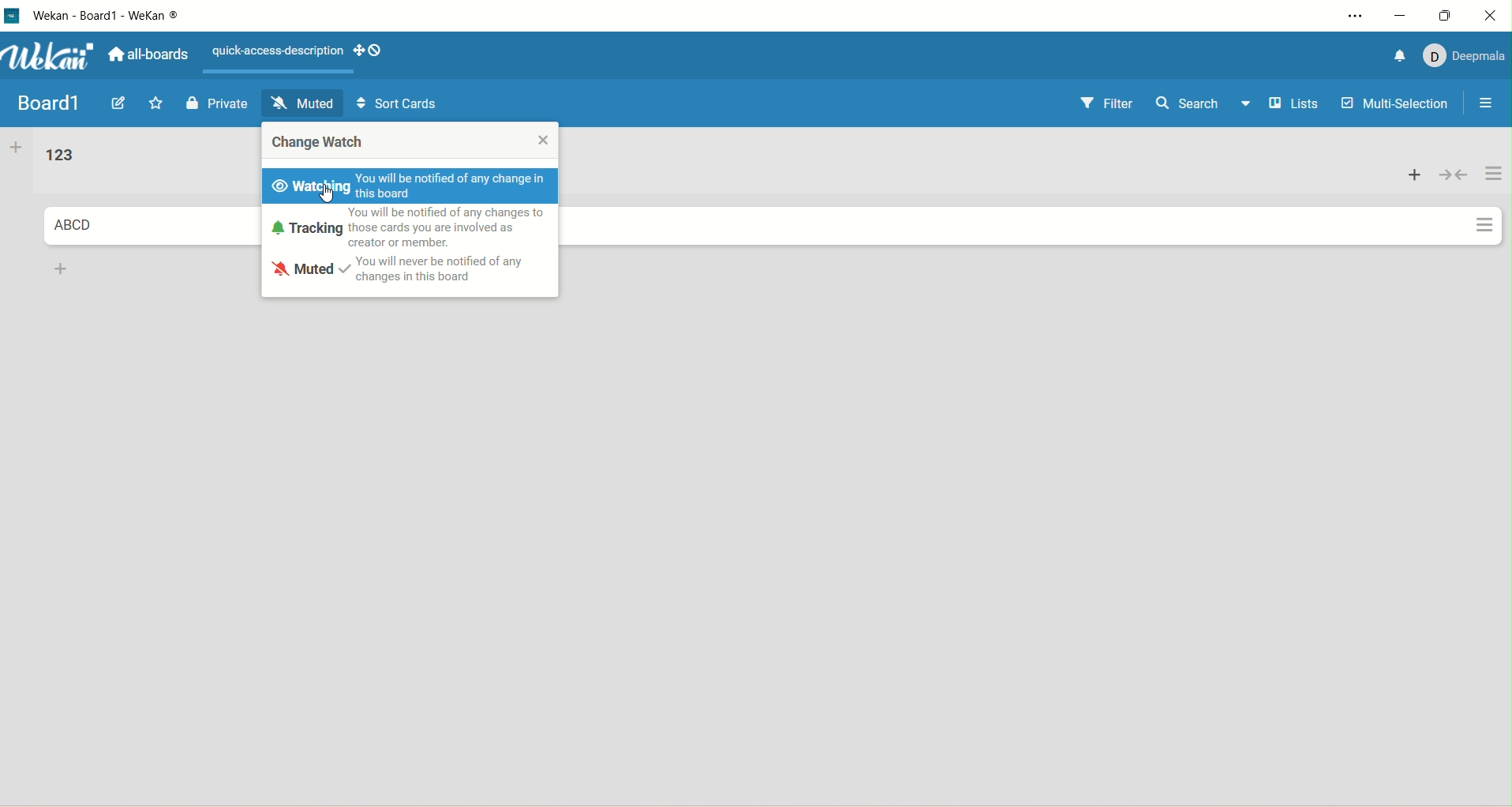 The width and height of the screenshot is (1512, 807). Describe the element at coordinates (1450, 14) in the screenshot. I see `maximize` at that location.